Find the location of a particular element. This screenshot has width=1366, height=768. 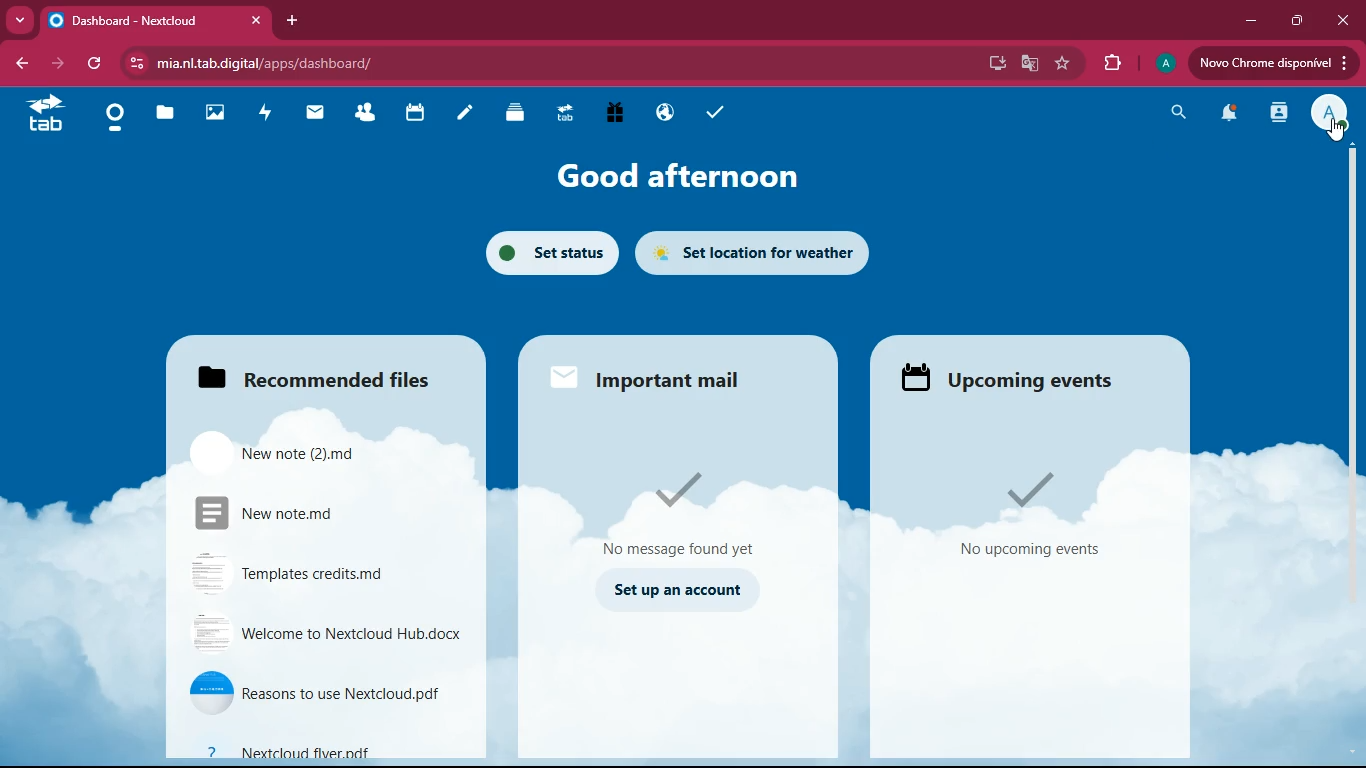

gift  is located at coordinates (622, 114).